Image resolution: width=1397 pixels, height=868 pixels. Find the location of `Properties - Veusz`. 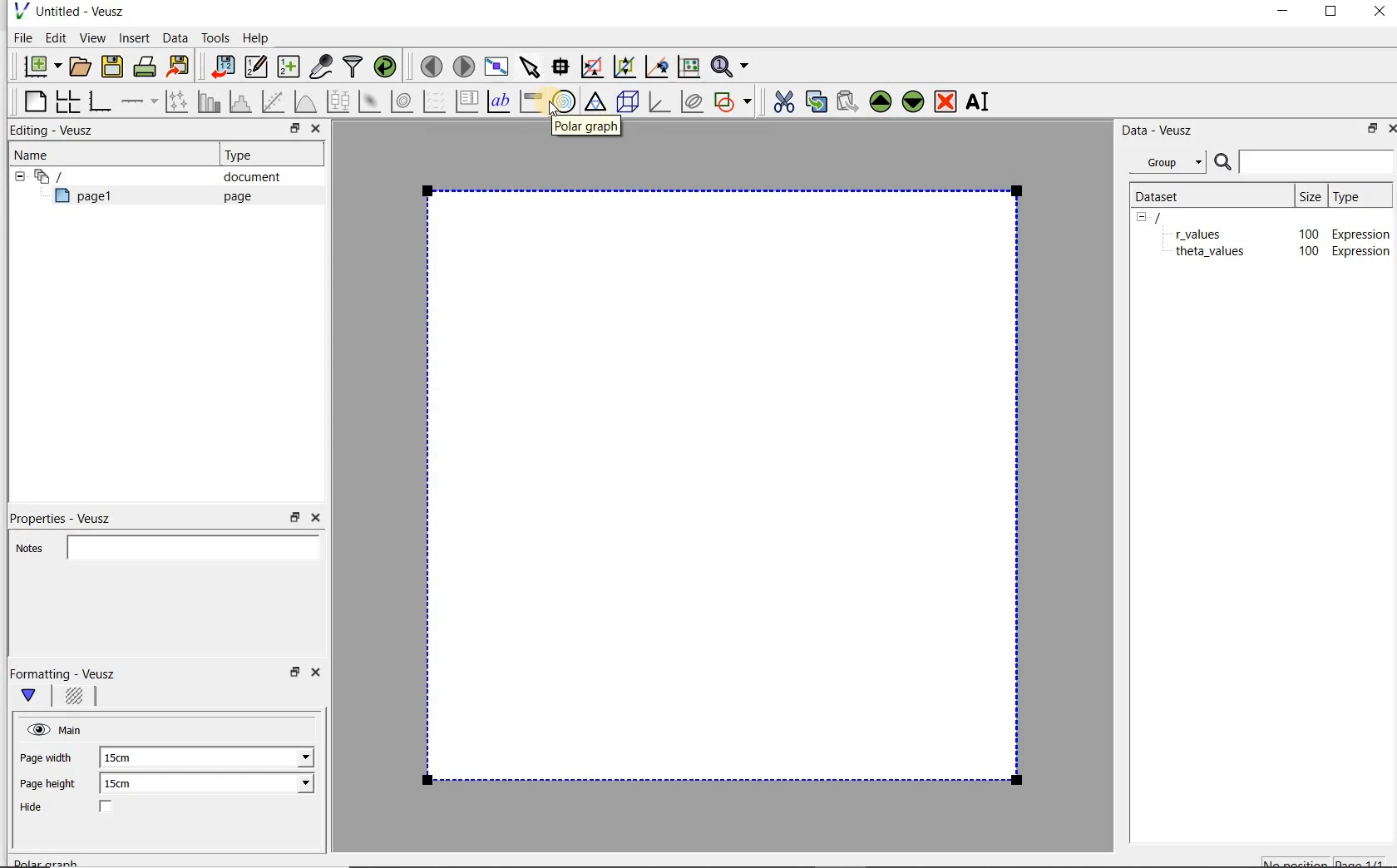

Properties - Veusz is located at coordinates (69, 515).